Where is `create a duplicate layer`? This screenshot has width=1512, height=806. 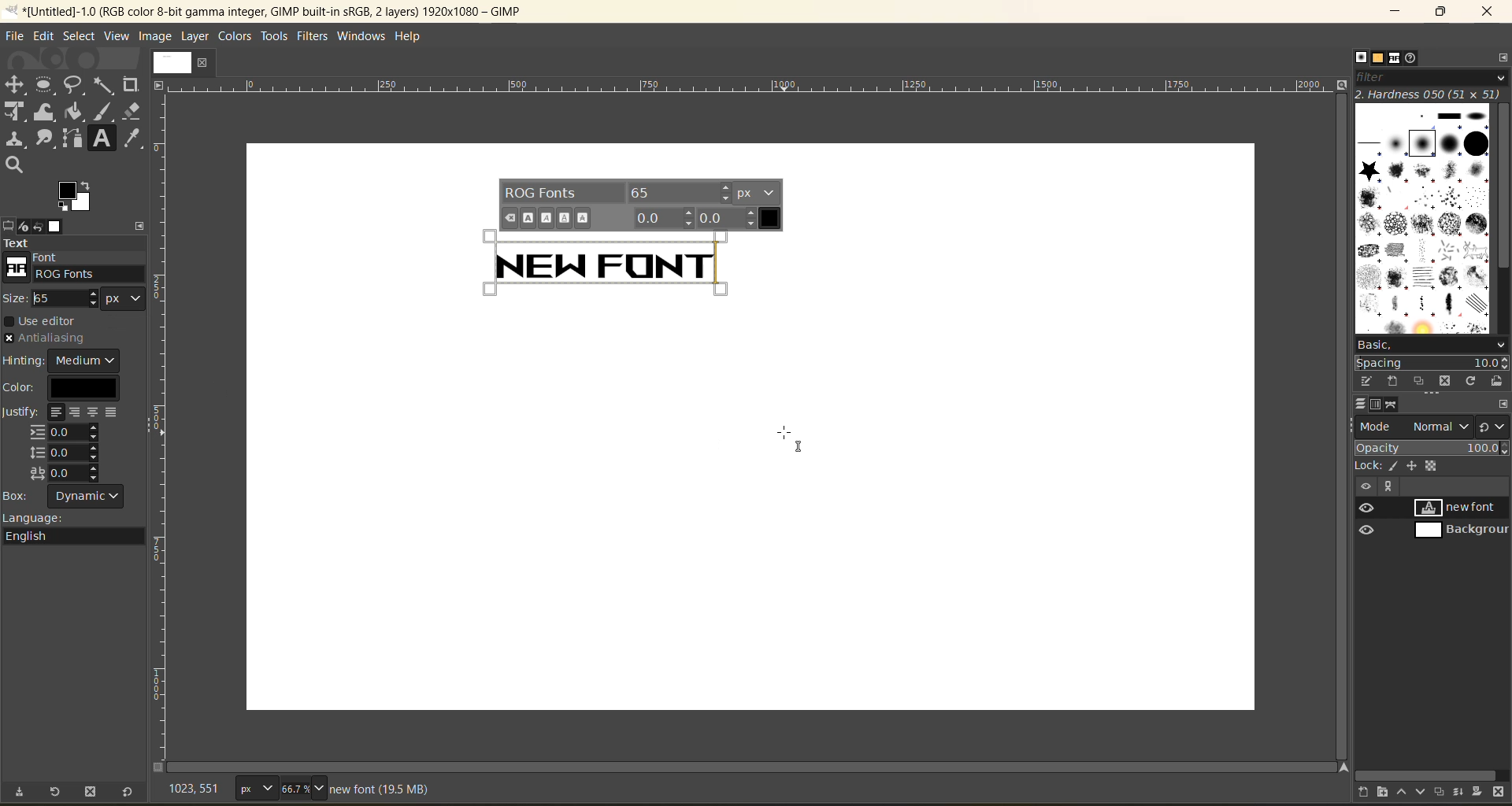
create a duplicate layer is located at coordinates (1444, 791).